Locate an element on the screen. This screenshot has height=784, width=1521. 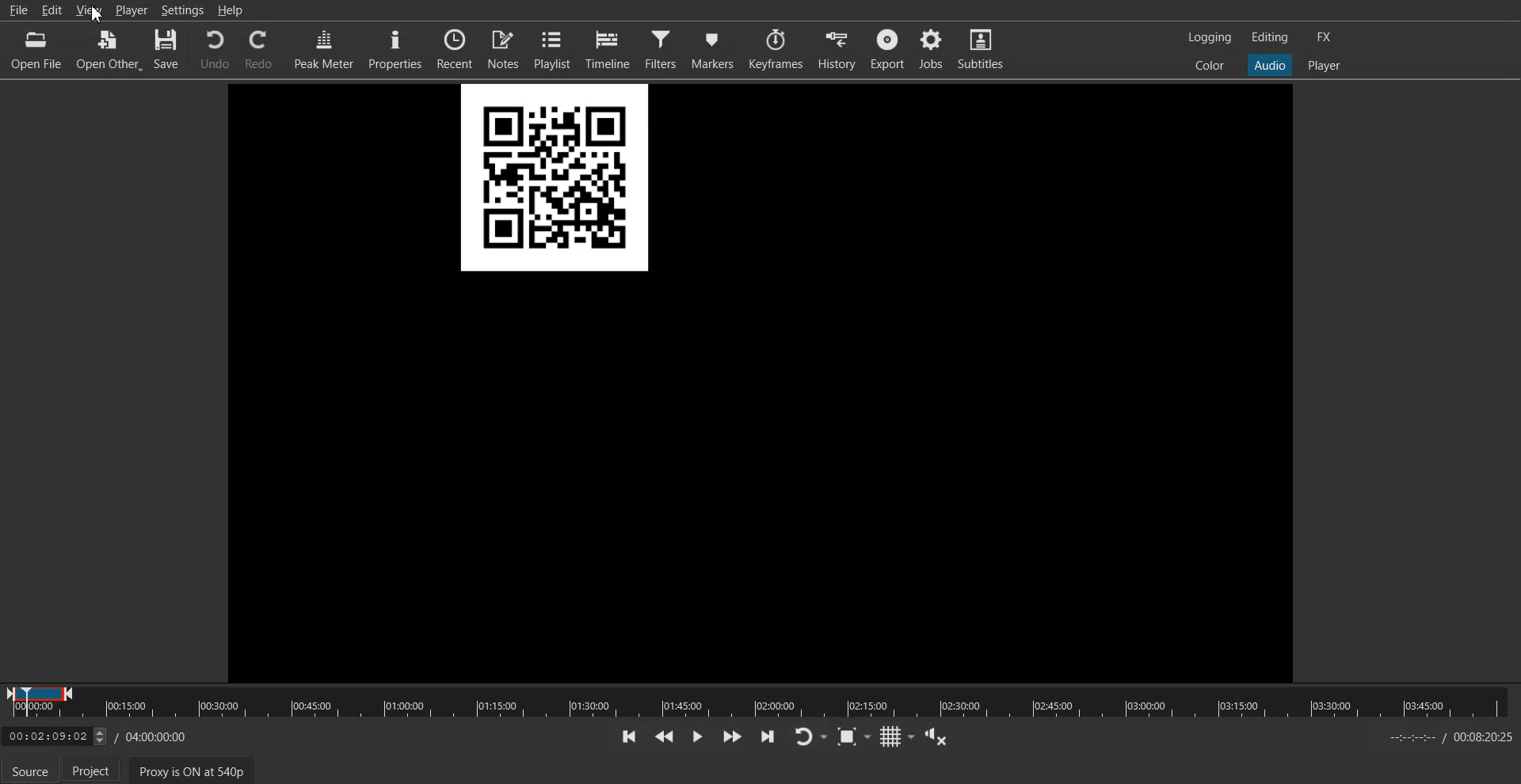
Playlist is located at coordinates (553, 48).